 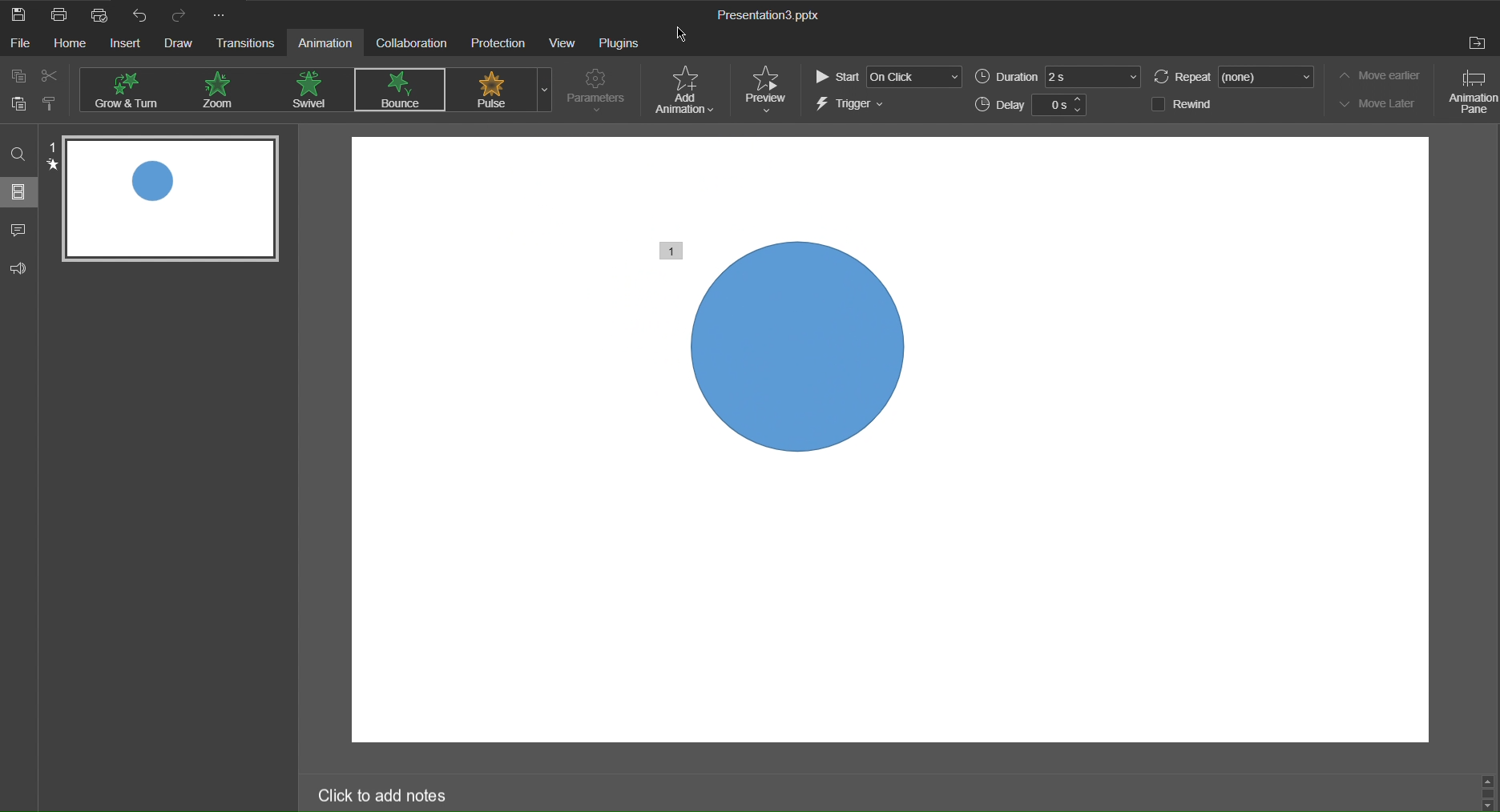 I want to click on Trigger, so click(x=853, y=107).